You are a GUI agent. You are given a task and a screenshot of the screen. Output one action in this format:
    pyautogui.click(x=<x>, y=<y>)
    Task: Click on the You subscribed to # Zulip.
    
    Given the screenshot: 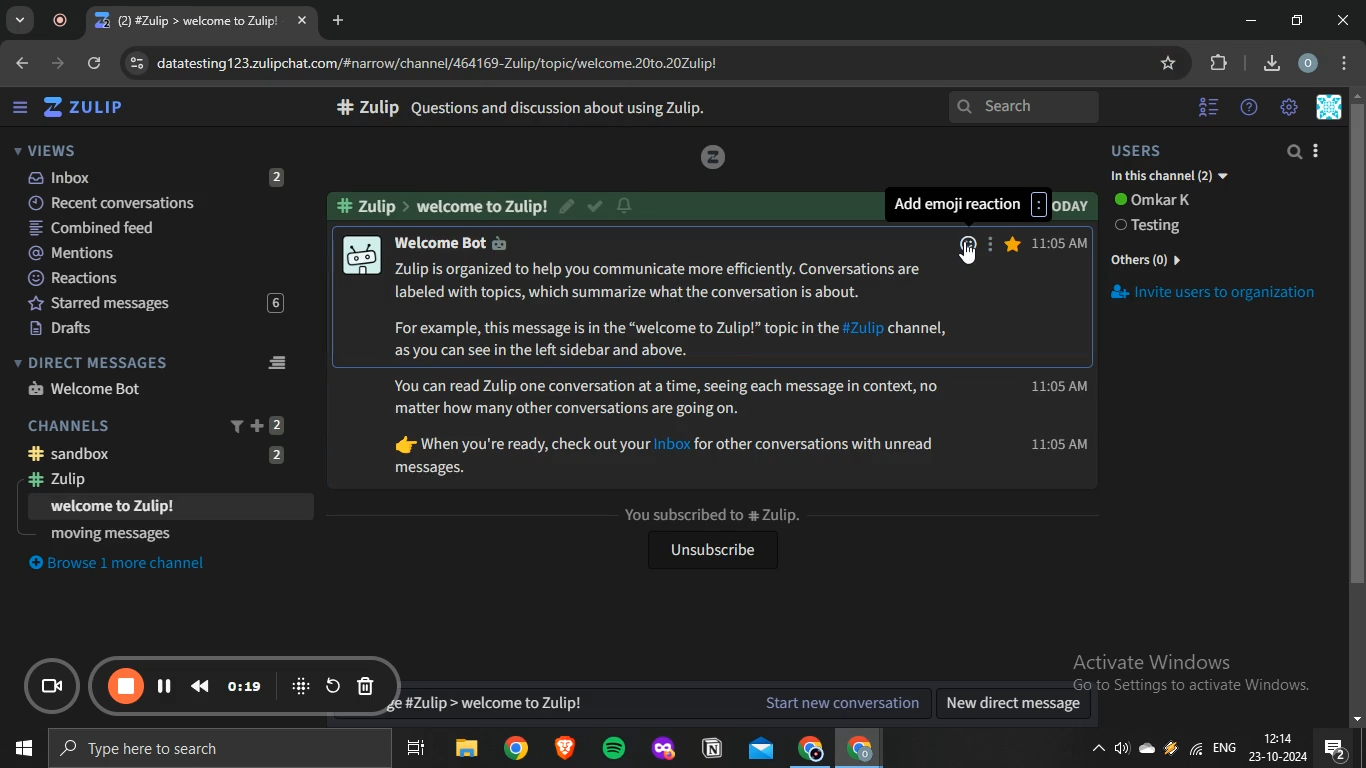 What is the action you would take?
    pyautogui.click(x=711, y=514)
    